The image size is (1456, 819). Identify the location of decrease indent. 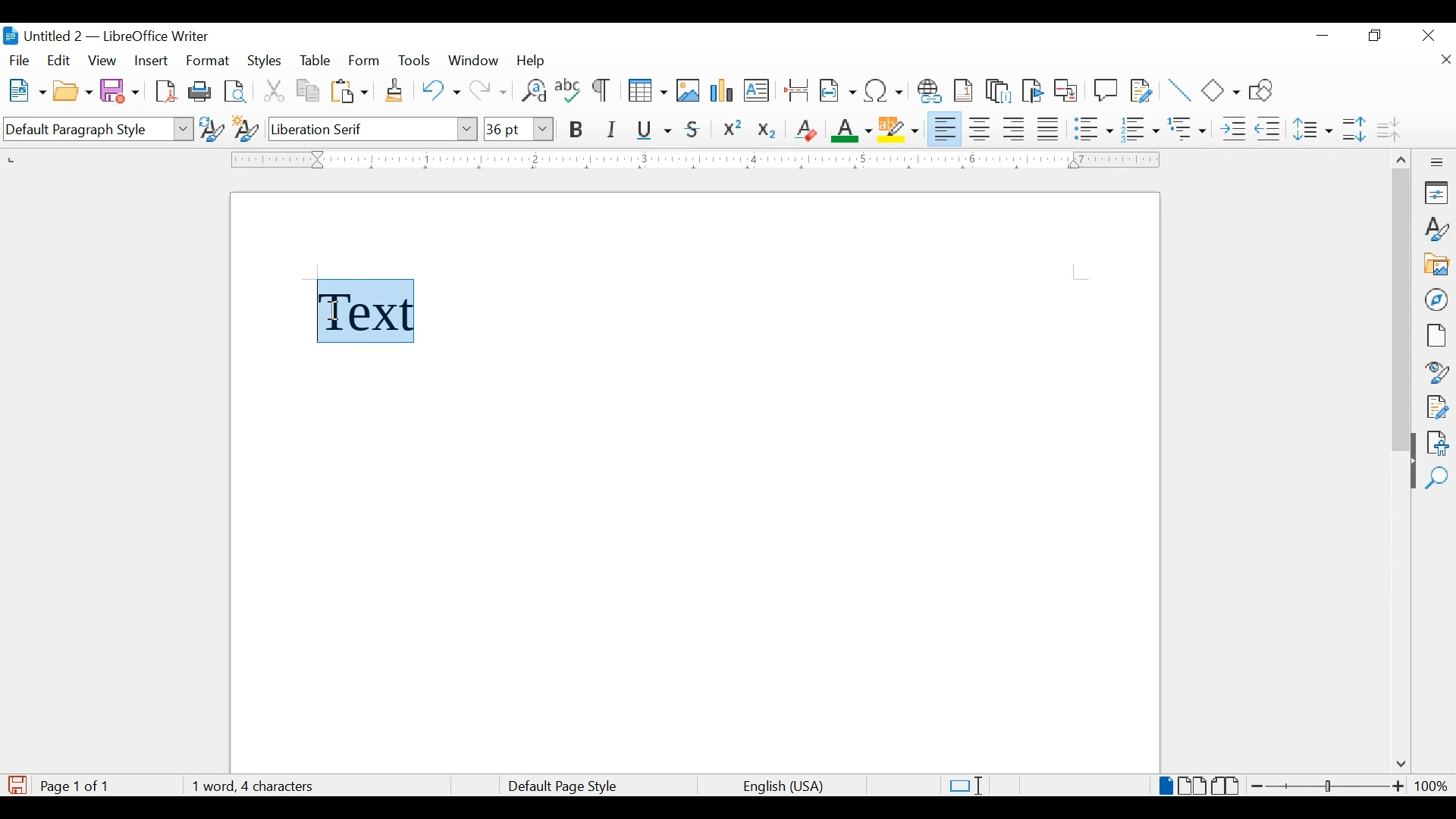
(1269, 128).